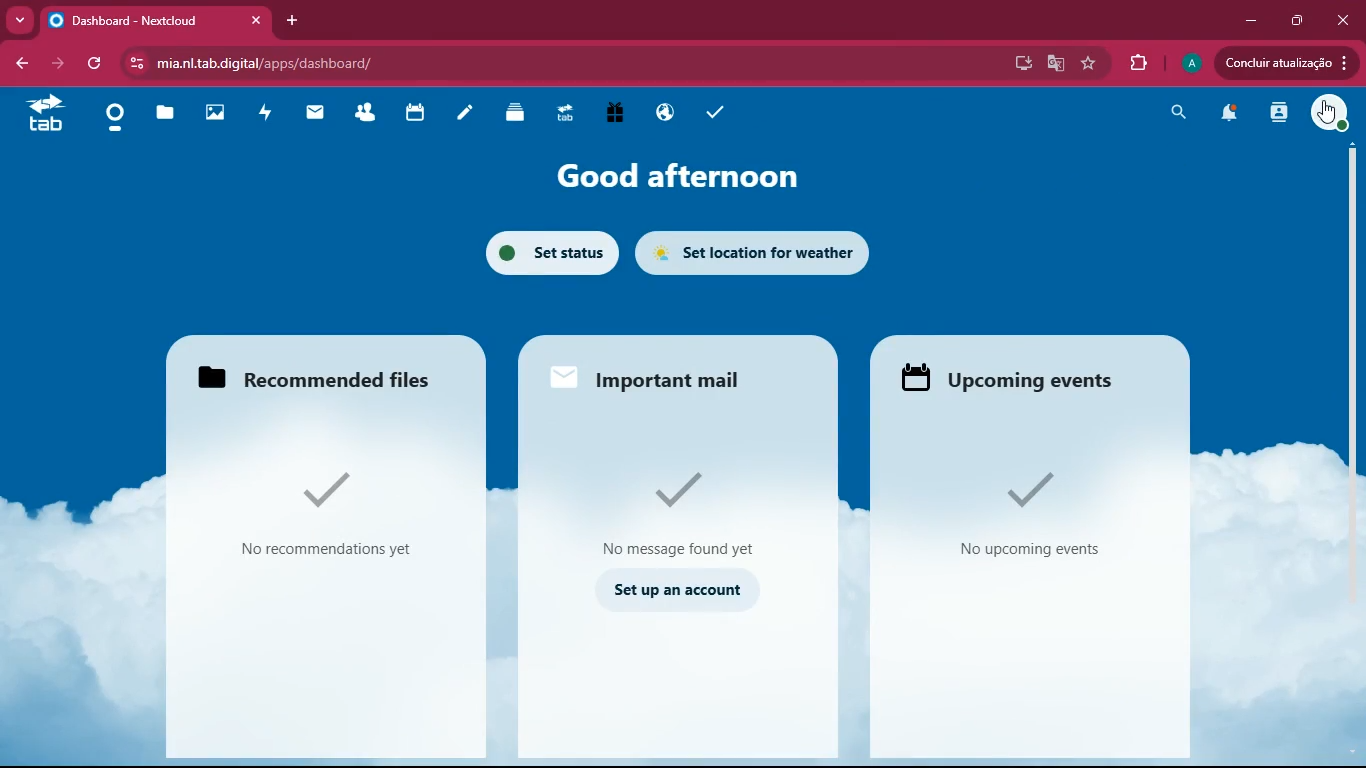 The image size is (1366, 768). Describe the element at coordinates (1189, 63) in the screenshot. I see `profile` at that location.